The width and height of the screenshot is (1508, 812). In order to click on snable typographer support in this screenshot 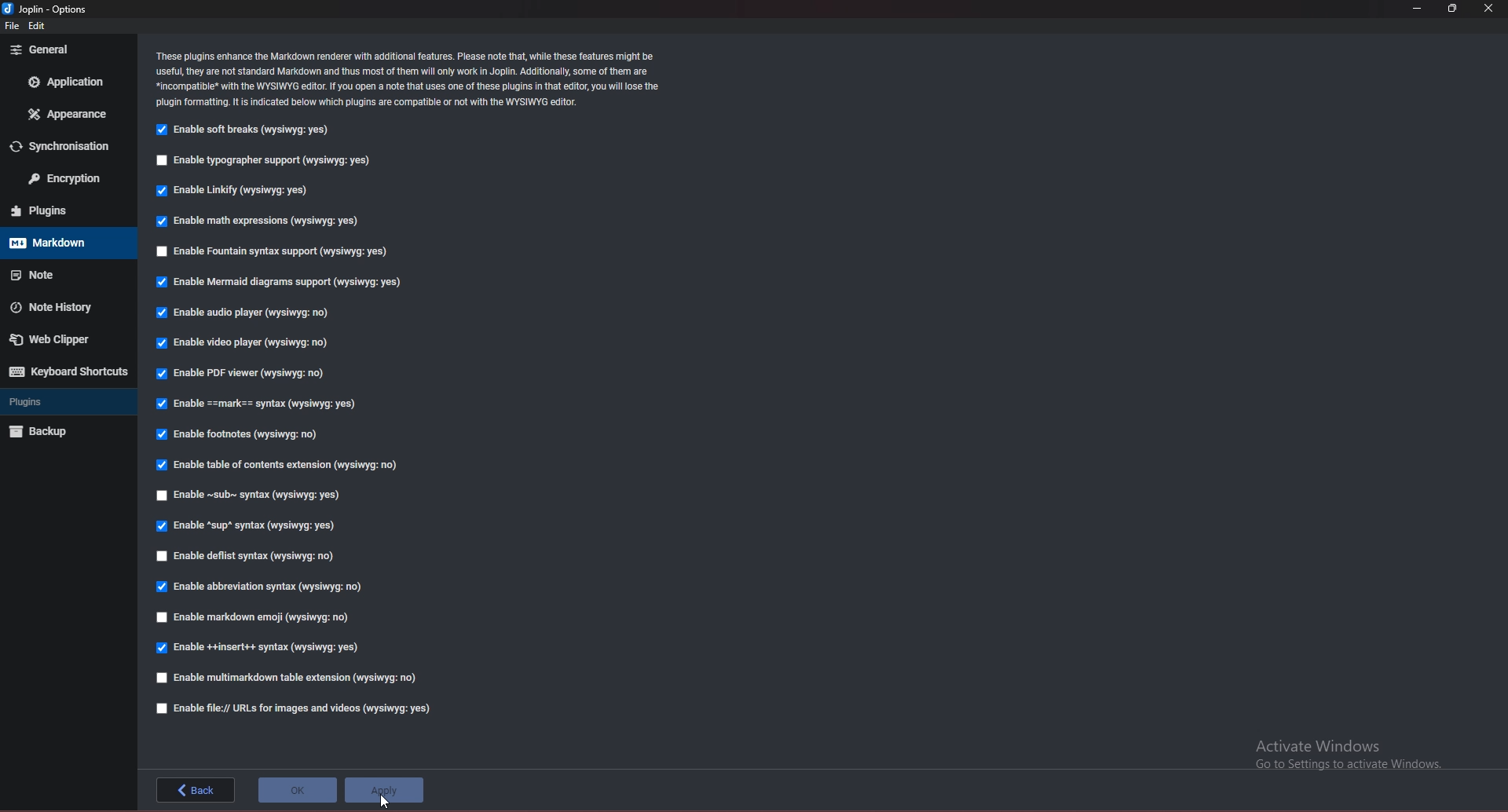, I will do `click(269, 161)`.